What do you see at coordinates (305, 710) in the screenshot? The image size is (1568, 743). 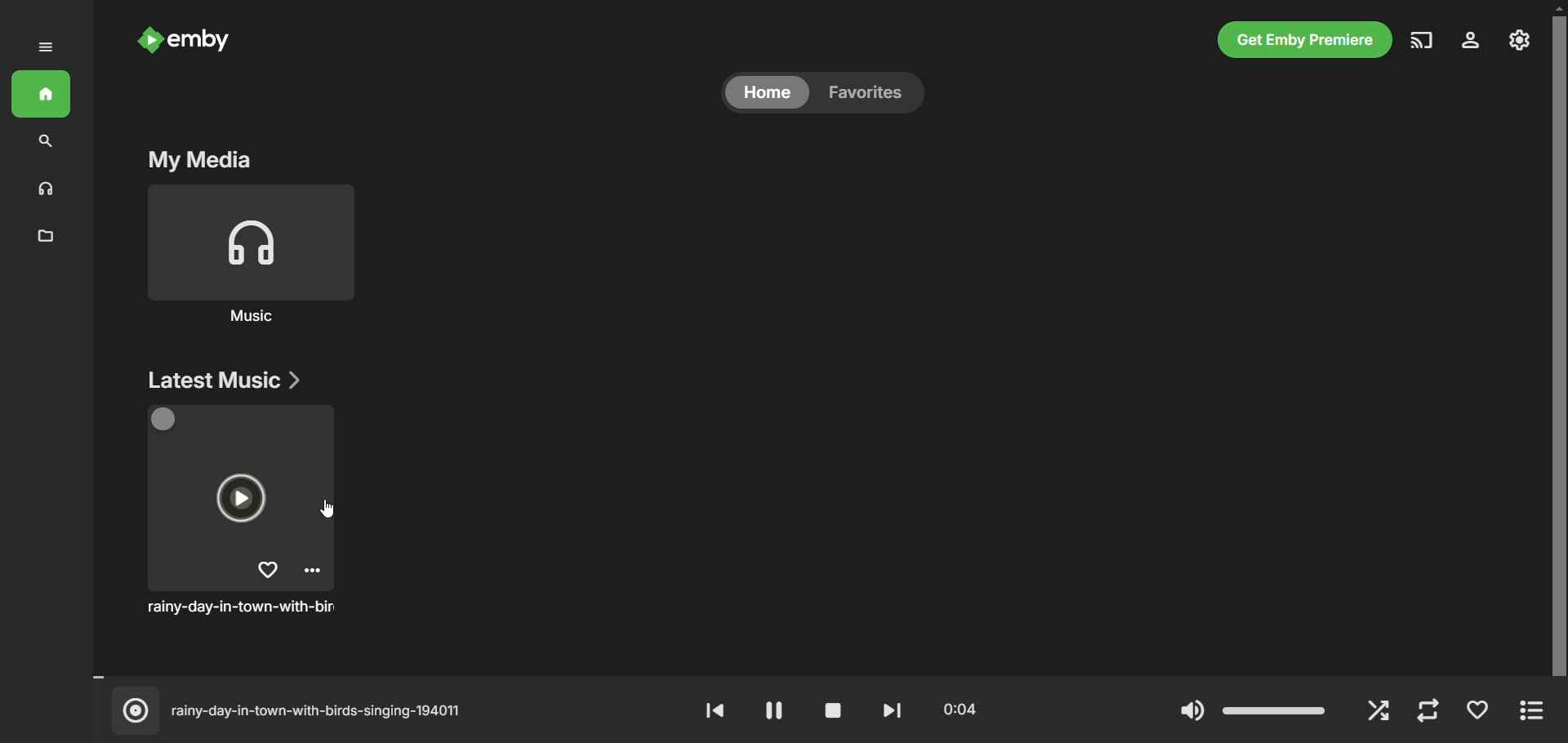 I see `(©  rainy-day-in-town-with-birds-singing-1940m` at bounding box center [305, 710].